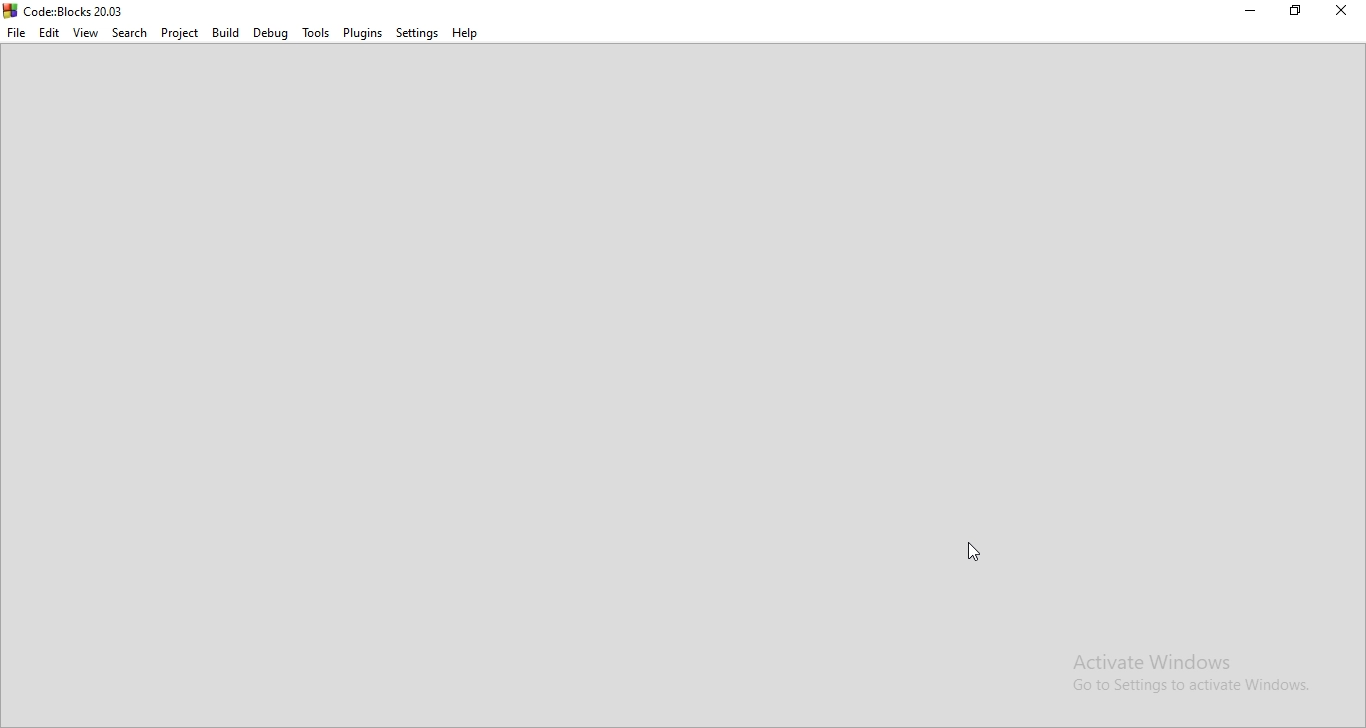 The width and height of the screenshot is (1366, 728). I want to click on cursor, so click(972, 551).